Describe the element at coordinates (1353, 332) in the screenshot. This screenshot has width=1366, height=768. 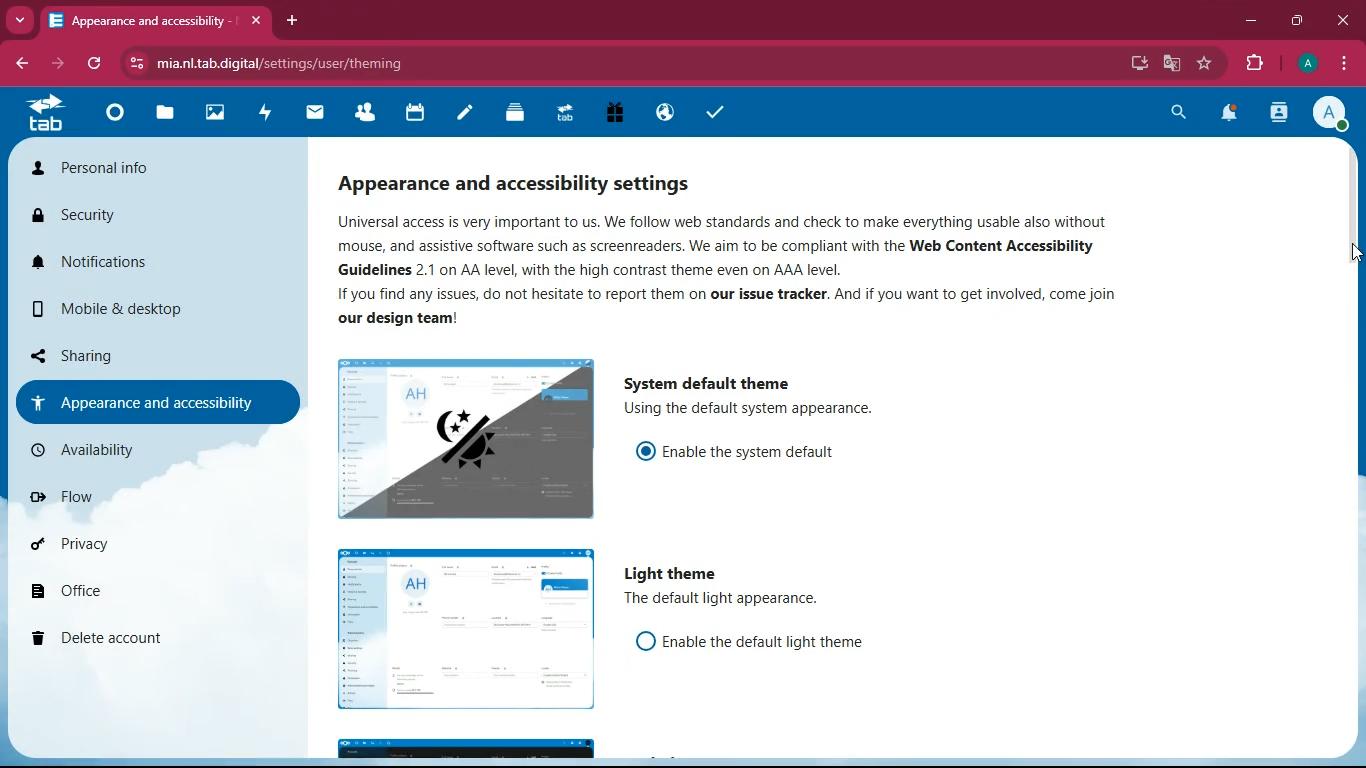
I see `scroll bar` at that location.